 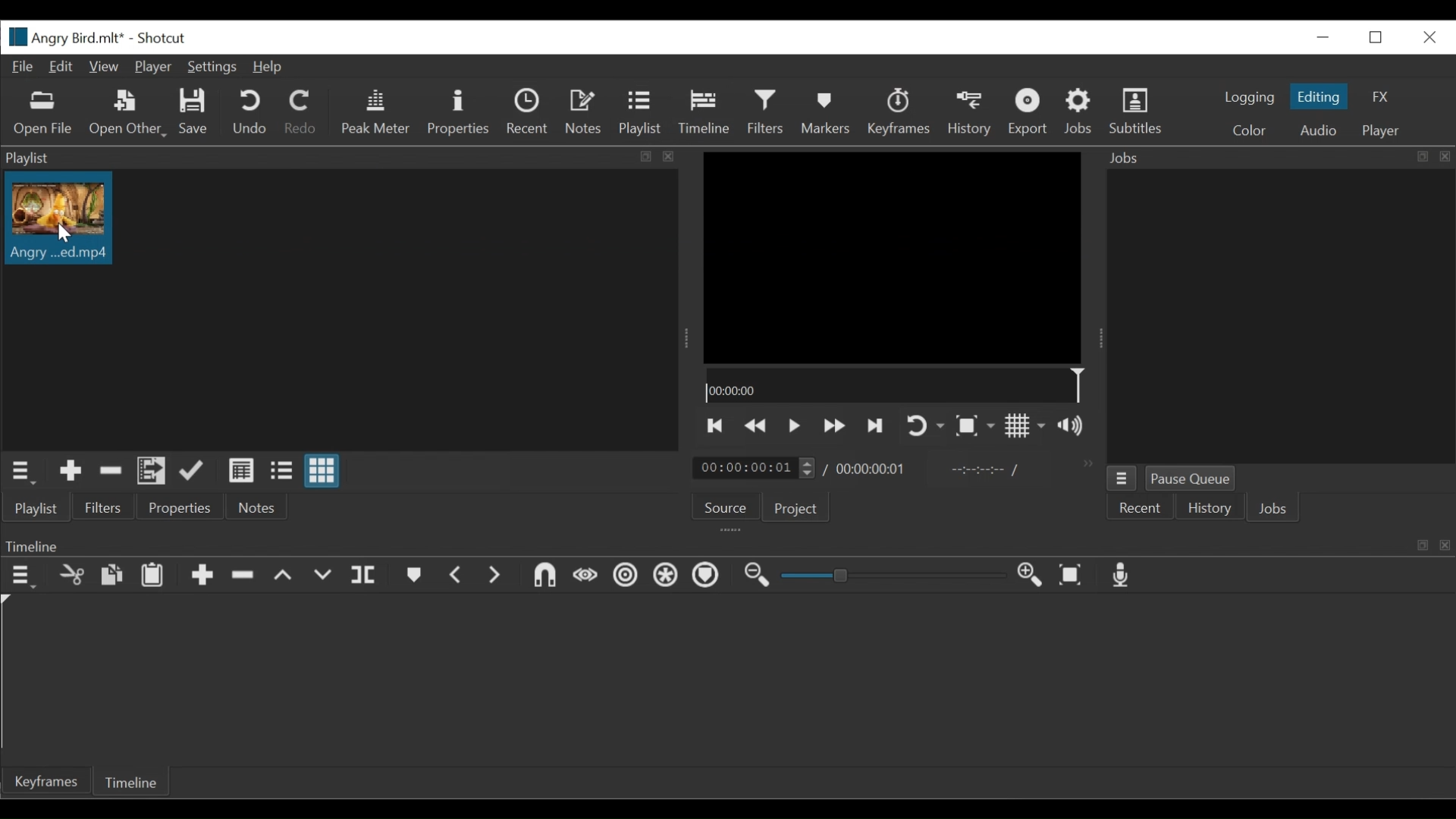 I want to click on Overwrite, so click(x=321, y=576).